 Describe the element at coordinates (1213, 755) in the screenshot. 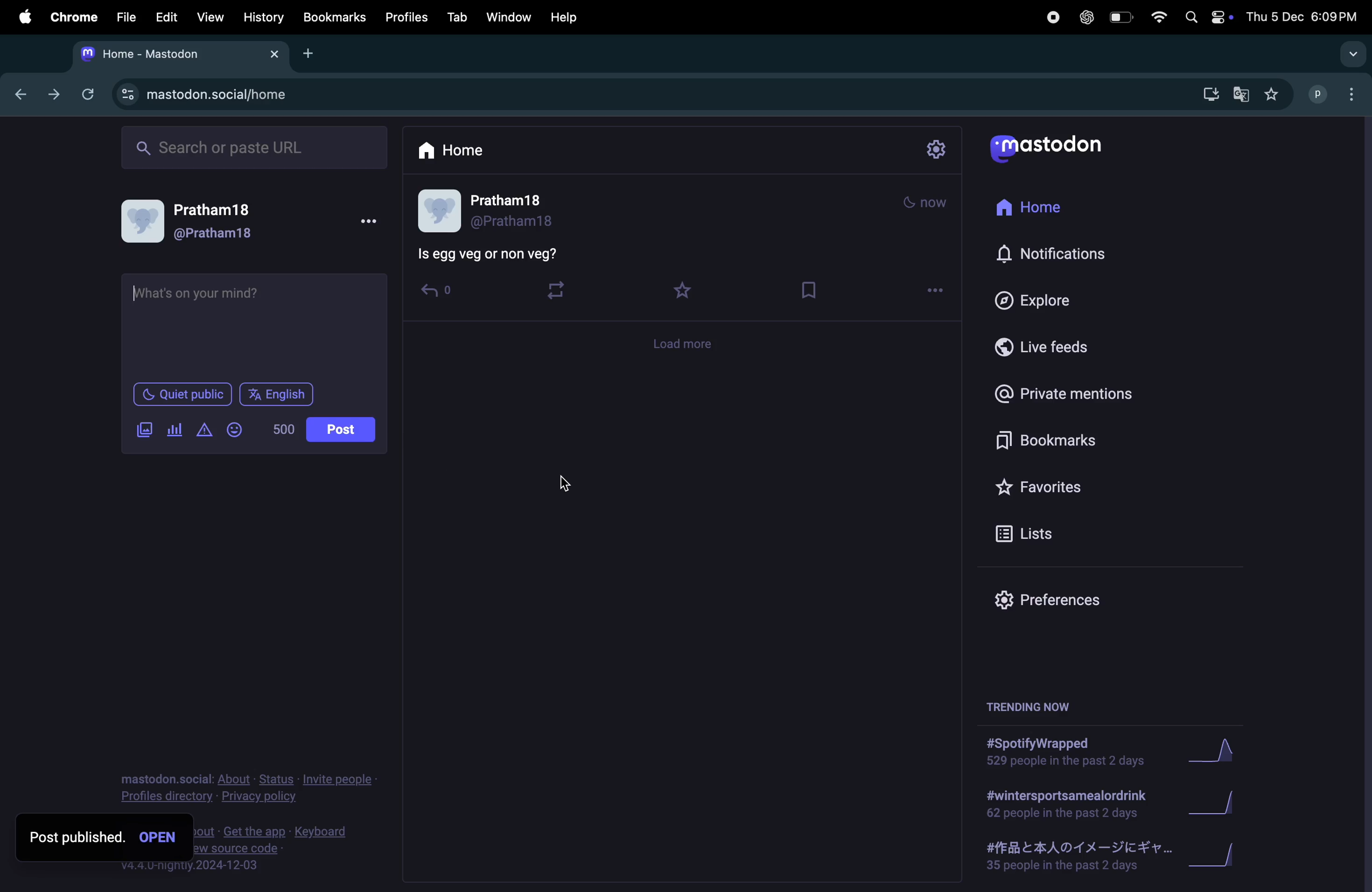

I see `graph` at that location.